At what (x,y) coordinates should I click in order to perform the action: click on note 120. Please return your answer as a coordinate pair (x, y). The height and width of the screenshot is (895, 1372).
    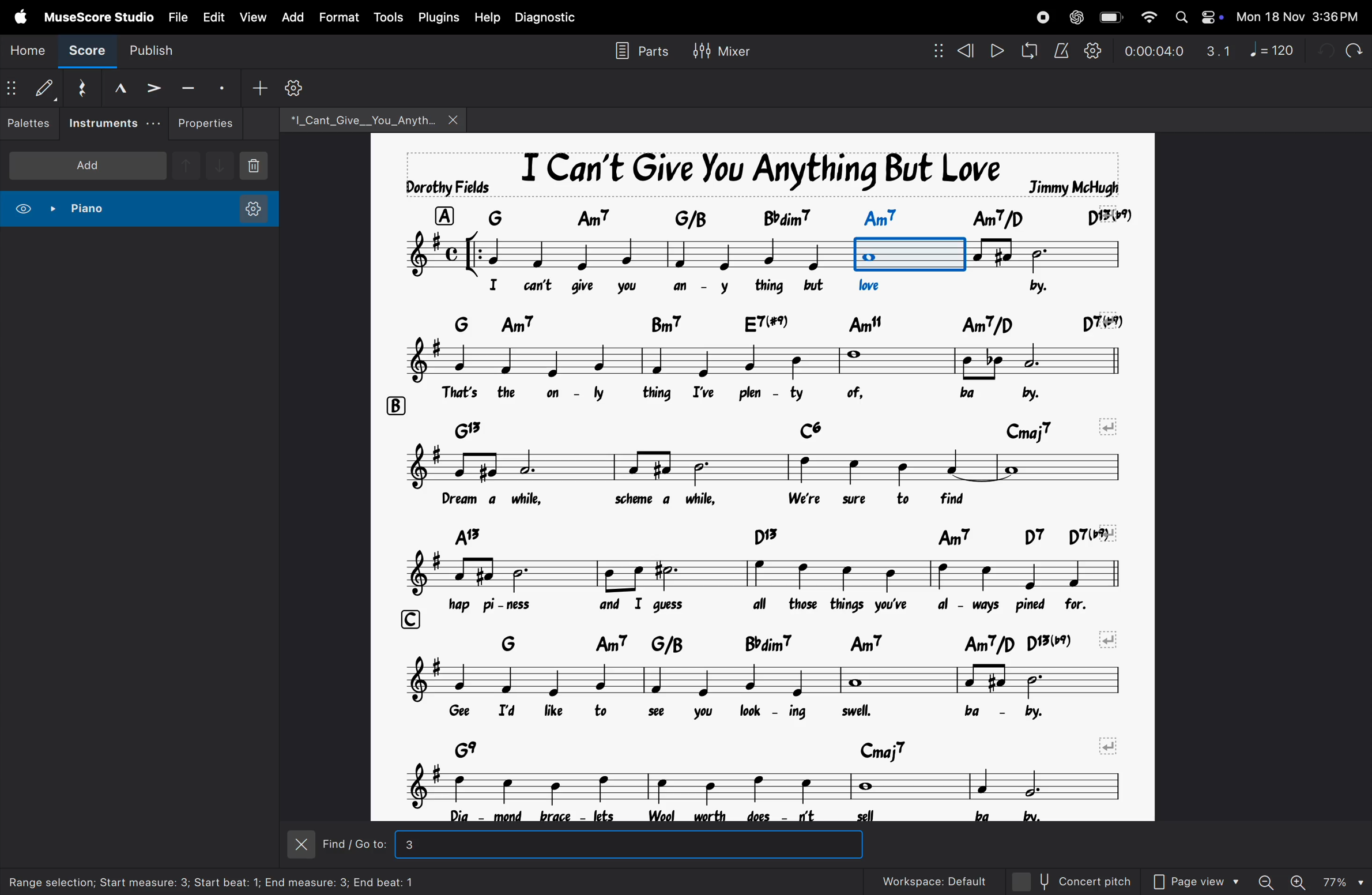
    Looking at the image, I should click on (1269, 48).